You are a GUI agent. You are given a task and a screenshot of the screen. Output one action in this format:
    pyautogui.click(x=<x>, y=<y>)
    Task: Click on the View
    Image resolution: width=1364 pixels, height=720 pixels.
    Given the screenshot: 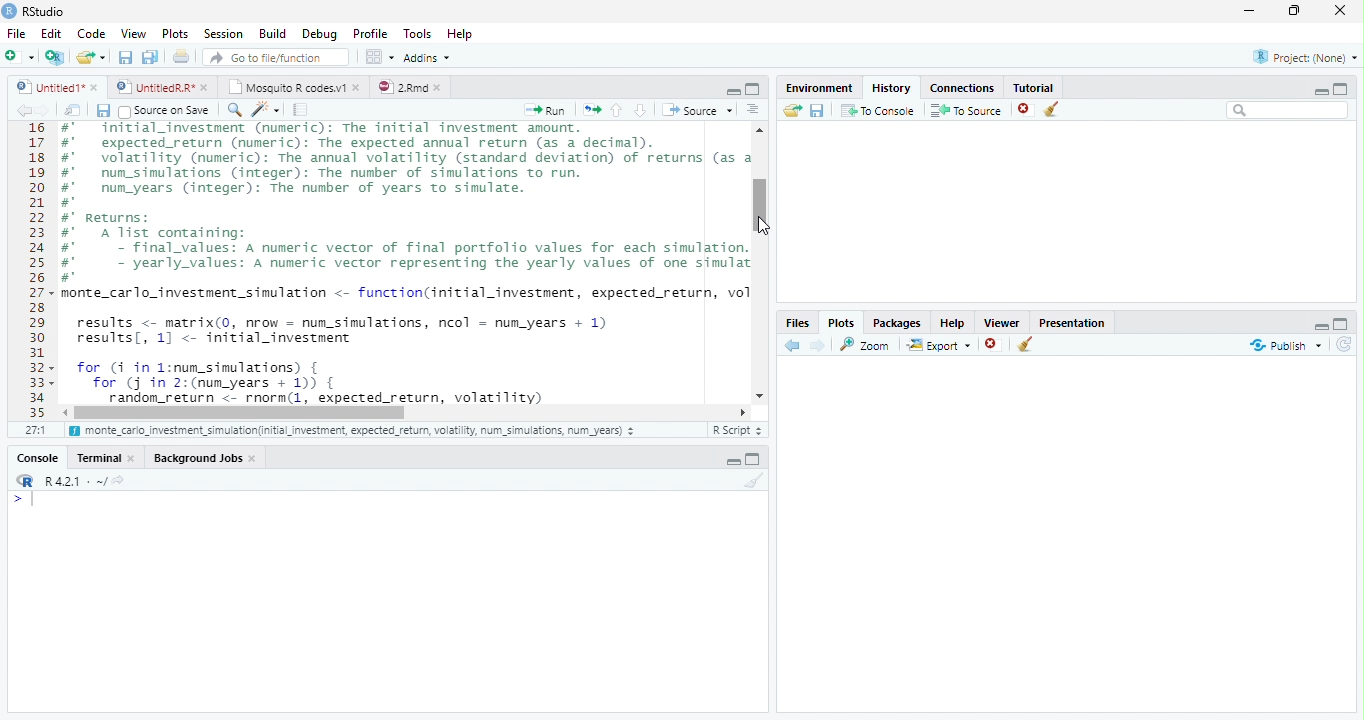 What is the action you would take?
    pyautogui.click(x=132, y=32)
    